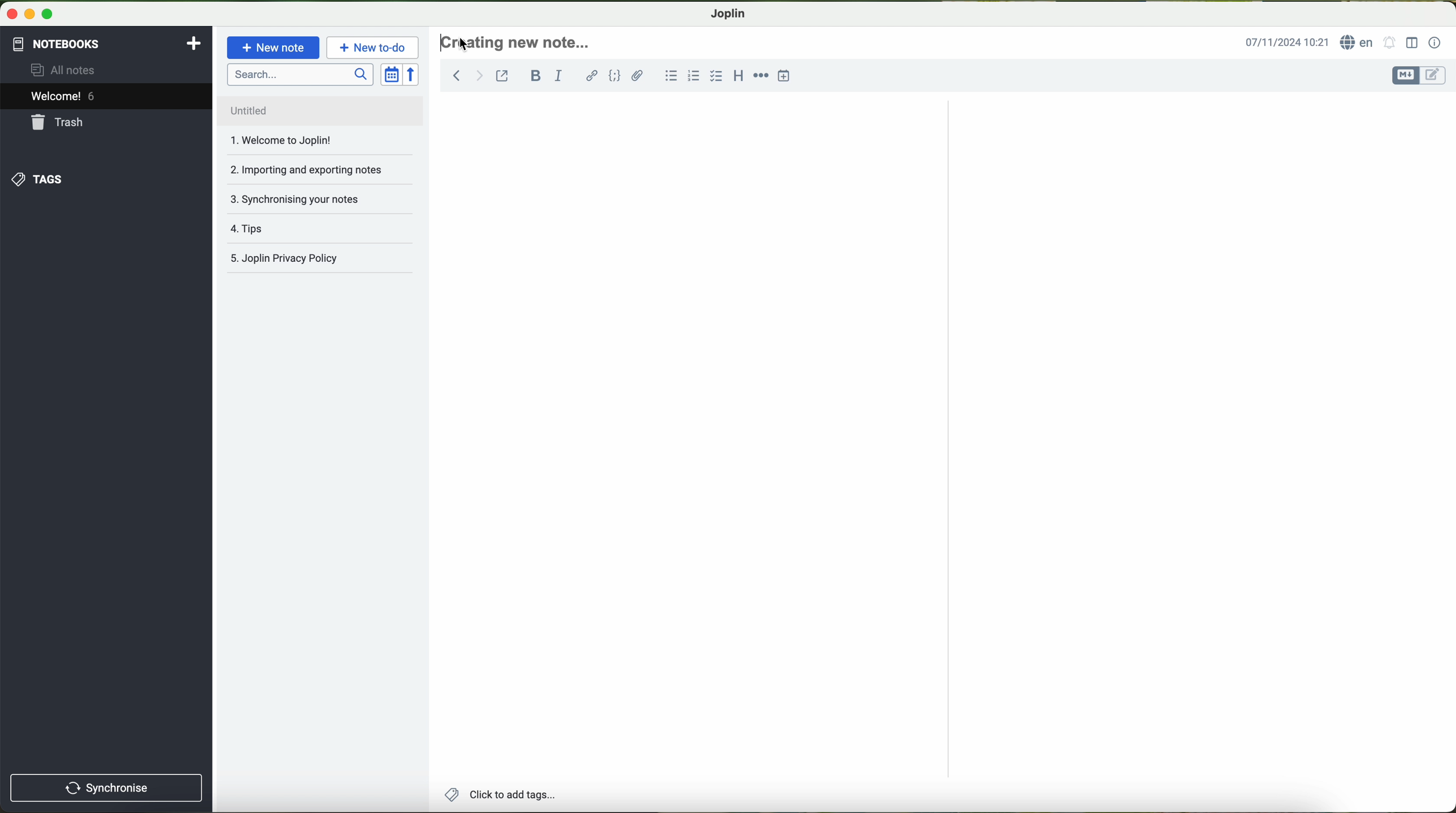 This screenshot has height=813, width=1456. Describe the element at coordinates (299, 74) in the screenshot. I see `search bar` at that location.